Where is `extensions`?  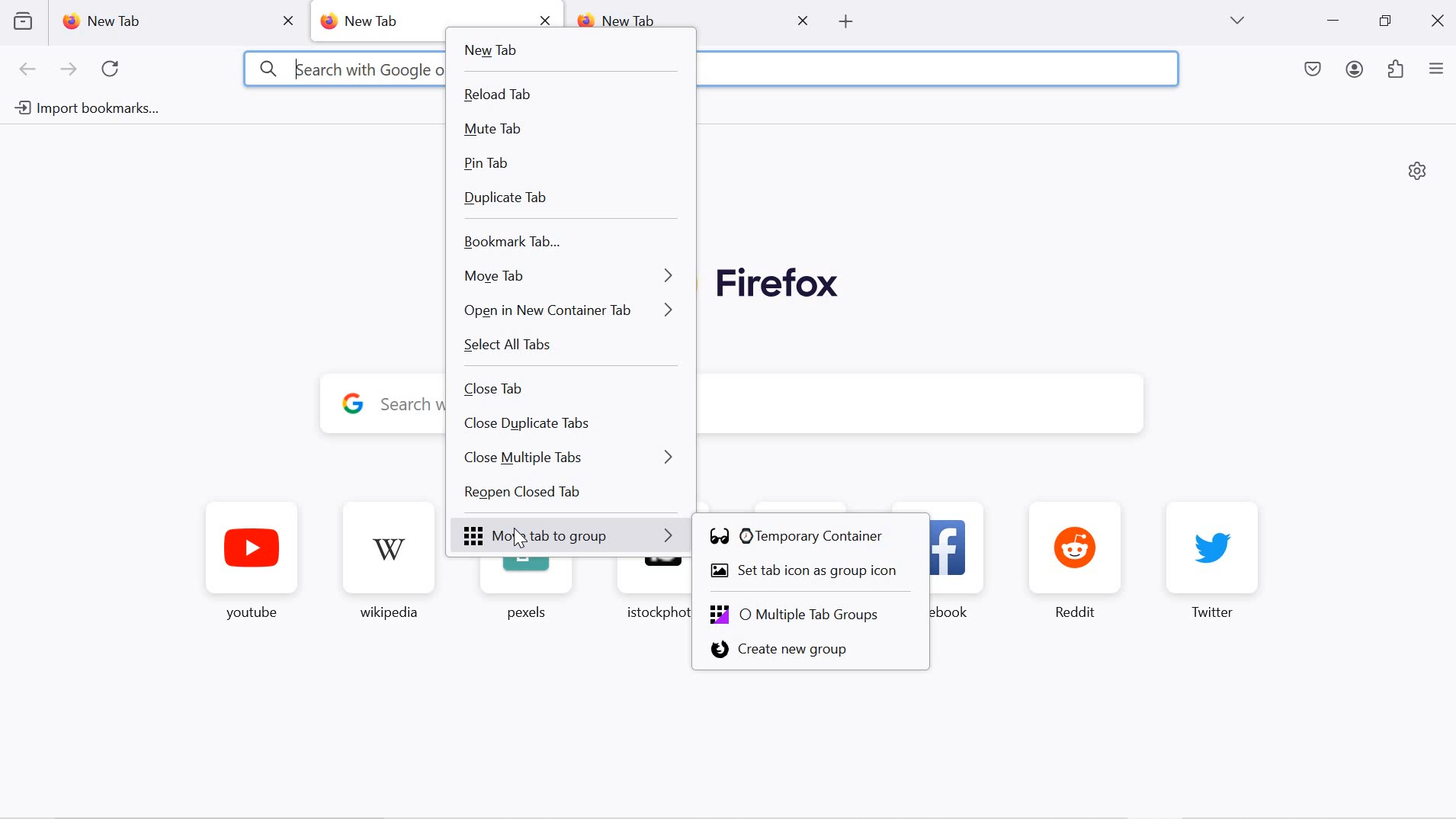
extensions is located at coordinates (1397, 71).